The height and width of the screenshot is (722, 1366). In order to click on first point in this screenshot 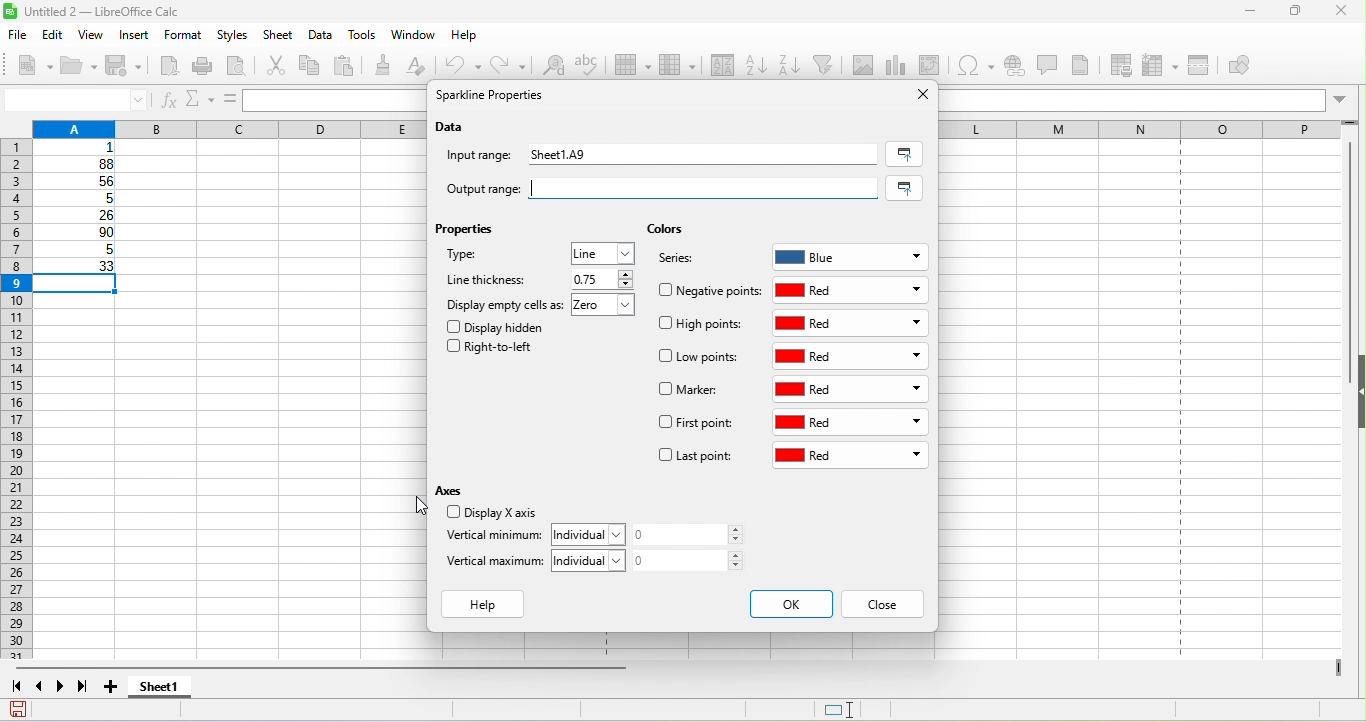, I will do `click(696, 425)`.